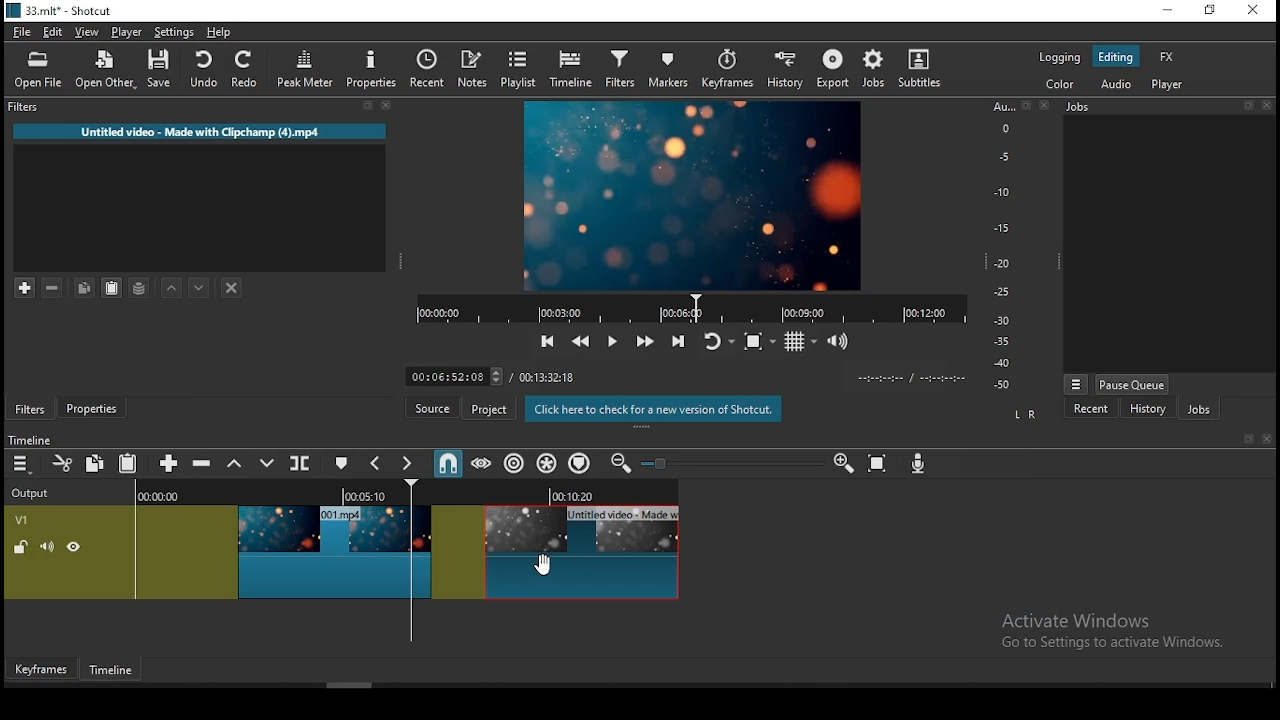  Describe the element at coordinates (115, 289) in the screenshot. I see `paste filter` at that location.